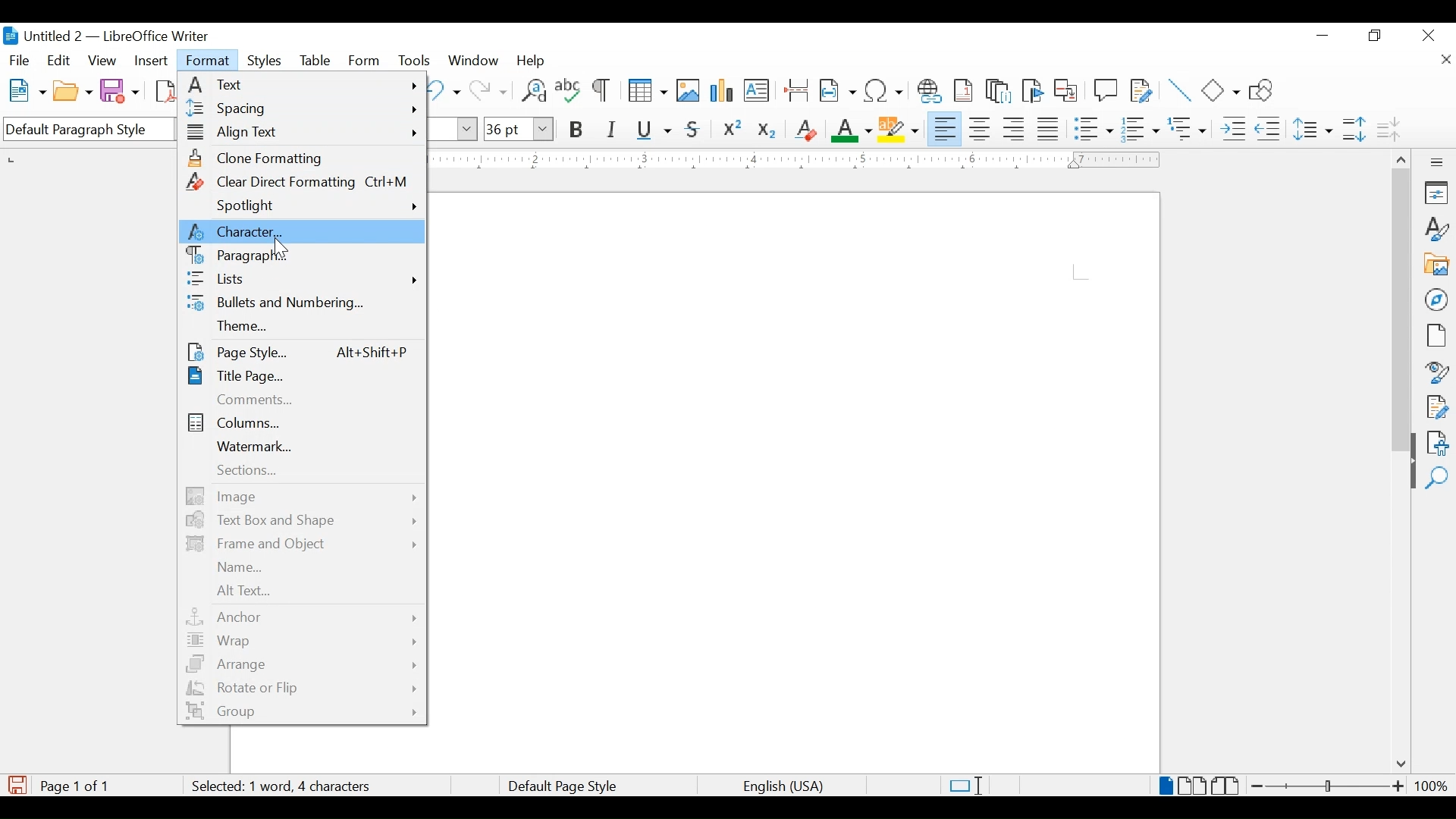  What do you see at coordinates (1188, 129) in the screenshot?
I see `select outline format` at bounding box center [1188, 129].